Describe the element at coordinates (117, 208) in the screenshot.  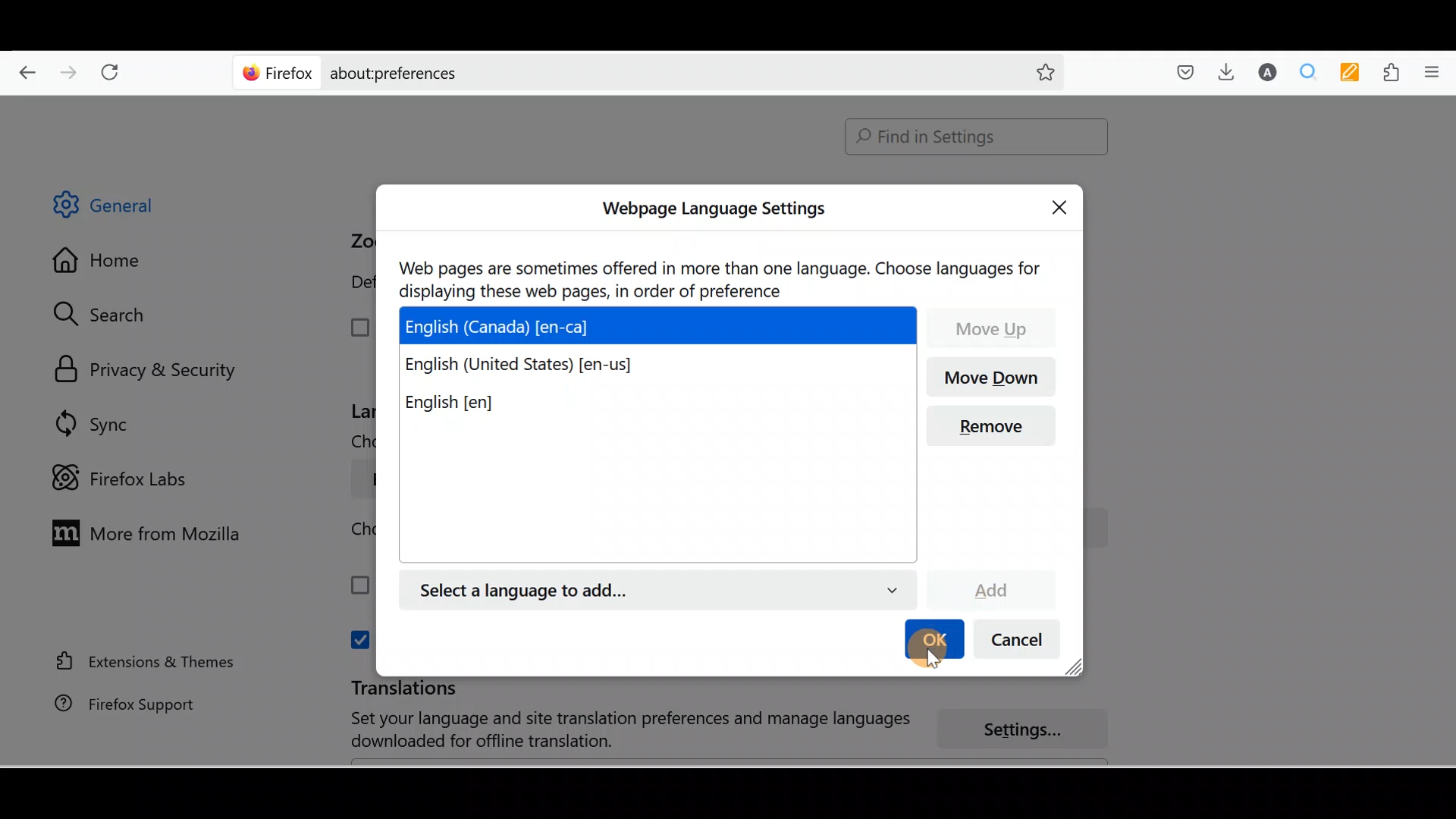
I see `General` at that location.